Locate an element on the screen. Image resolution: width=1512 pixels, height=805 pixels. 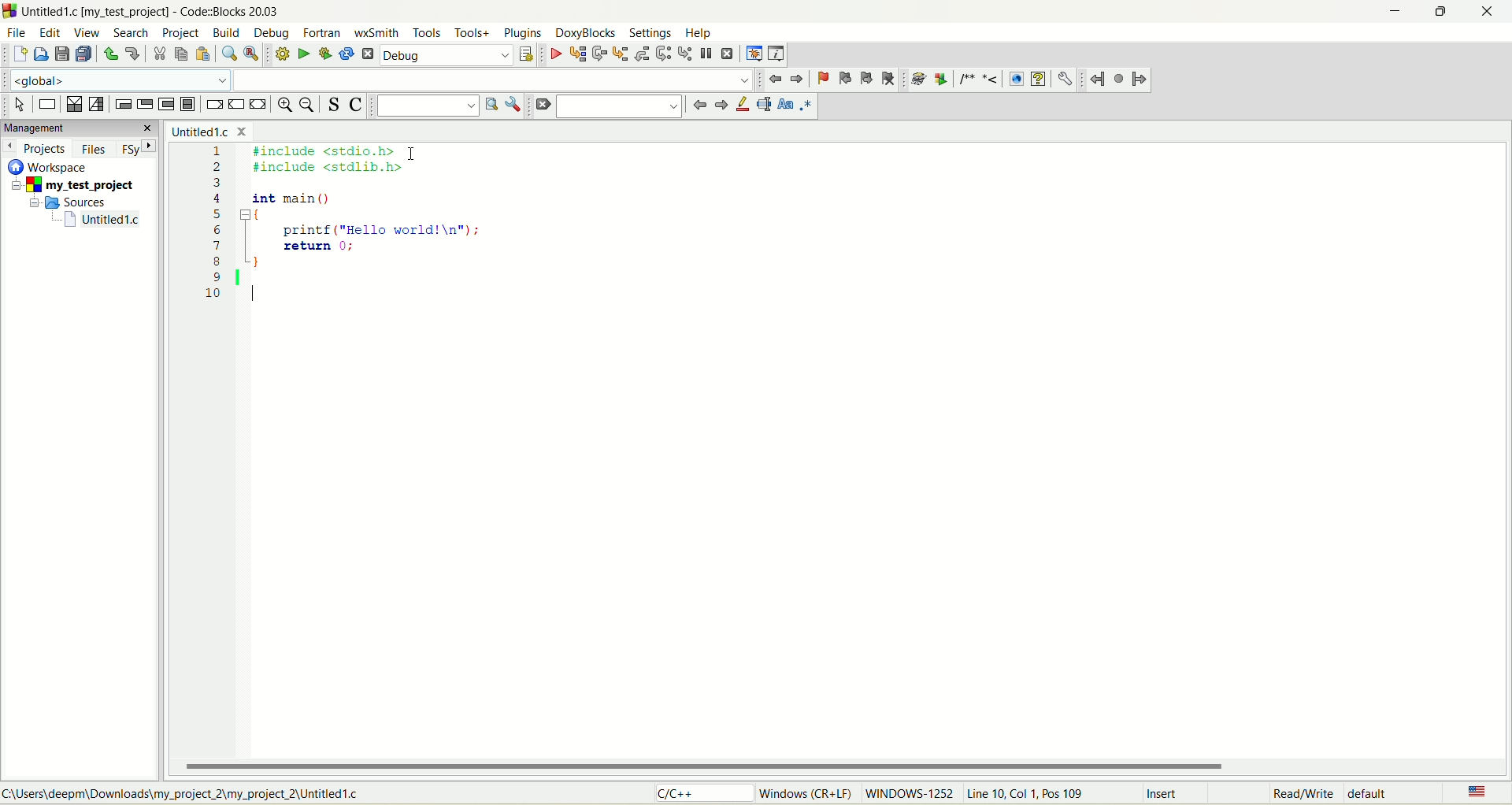
step into instruction is located at coordinates (684, 54).